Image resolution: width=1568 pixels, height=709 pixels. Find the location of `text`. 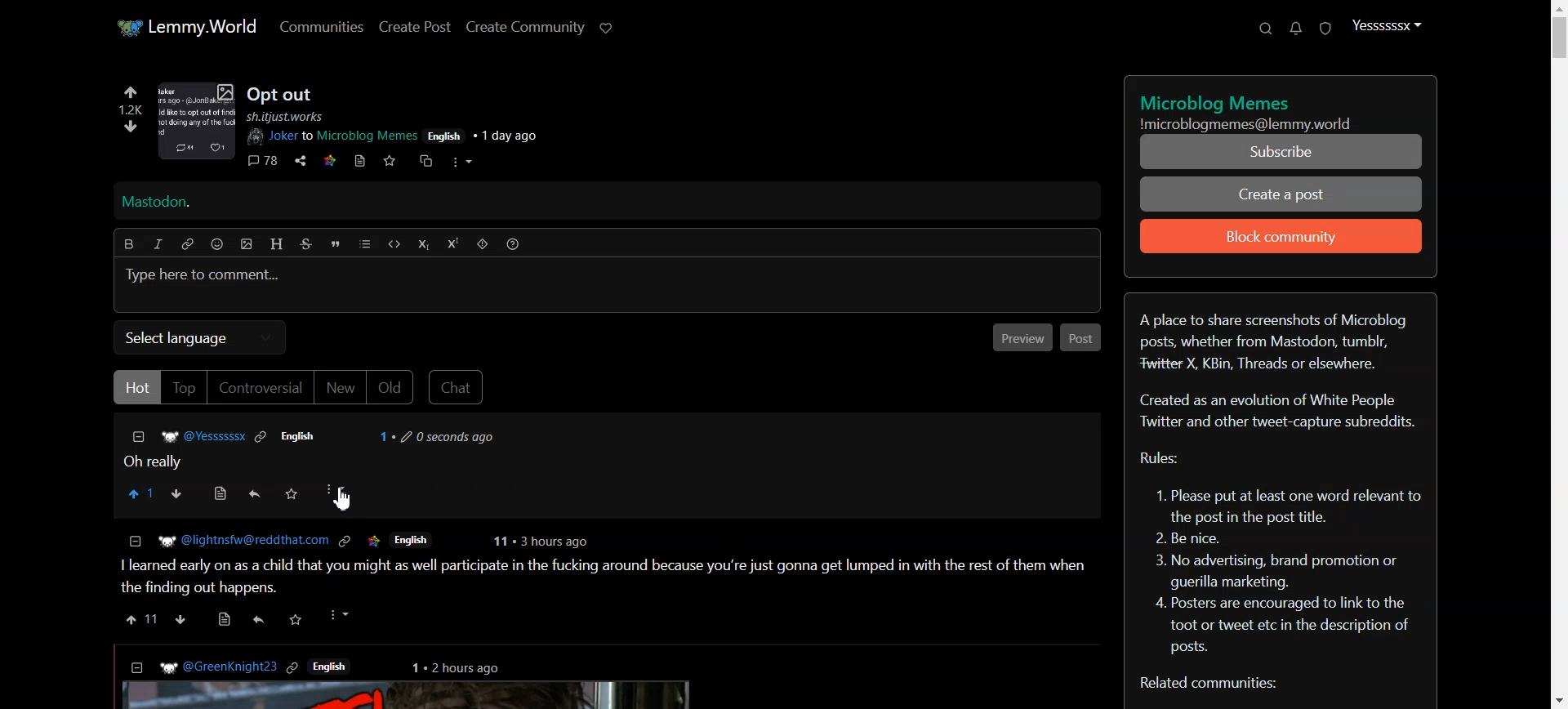

text is located at coordinates (1218, 101).